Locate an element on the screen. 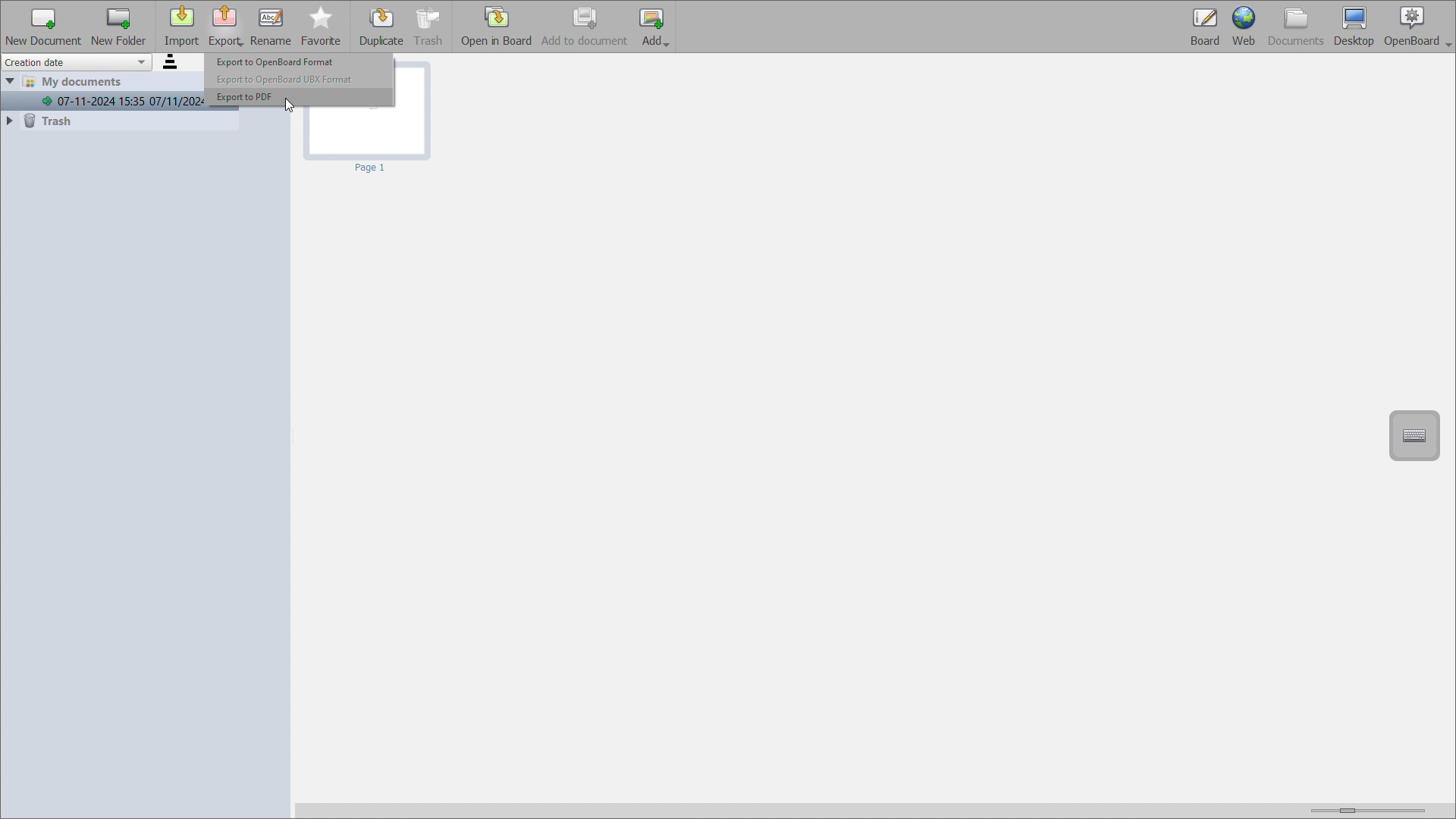 The image size is (1456, 819). add image is located at coordinates (654, 27).